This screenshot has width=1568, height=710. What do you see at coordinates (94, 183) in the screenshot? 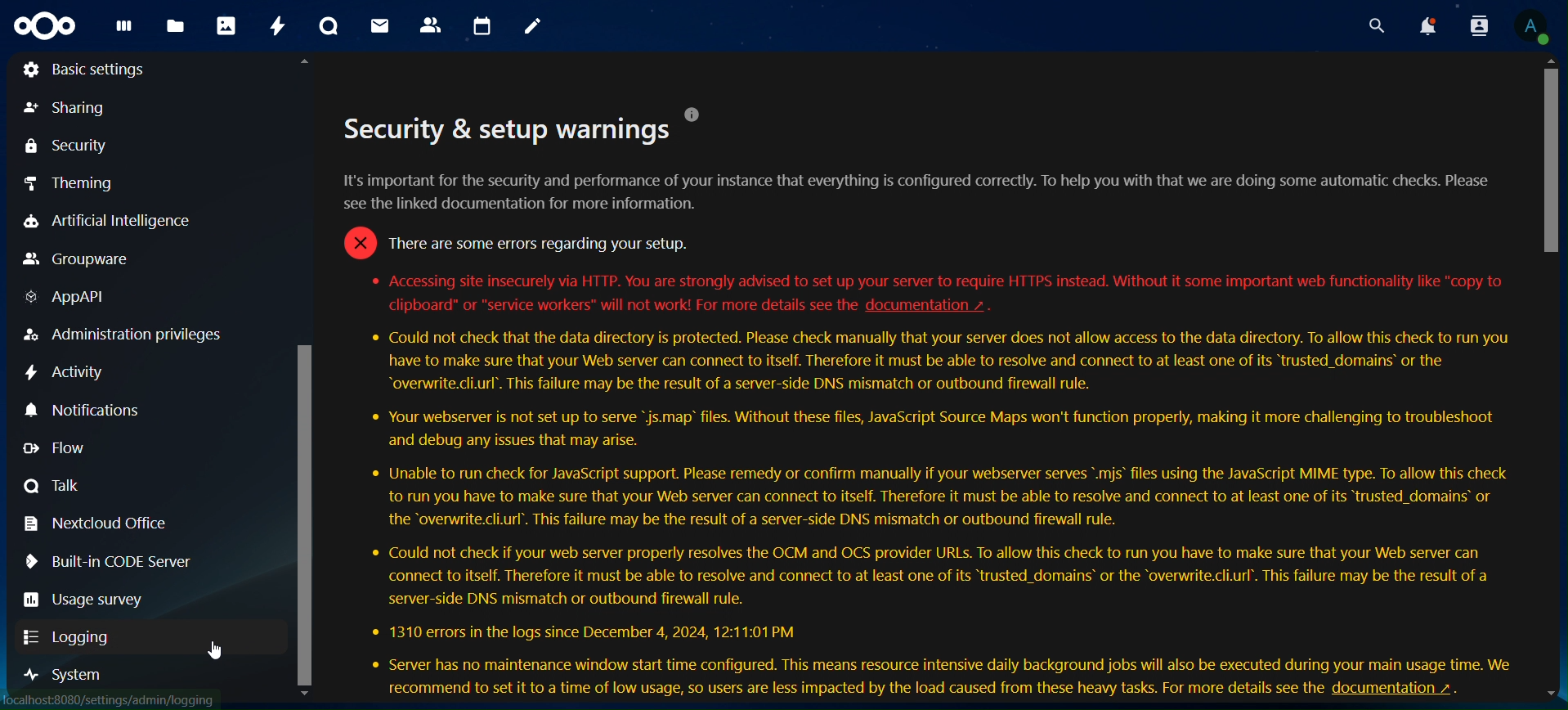
I see `theming` at bounding box center [94, 183].